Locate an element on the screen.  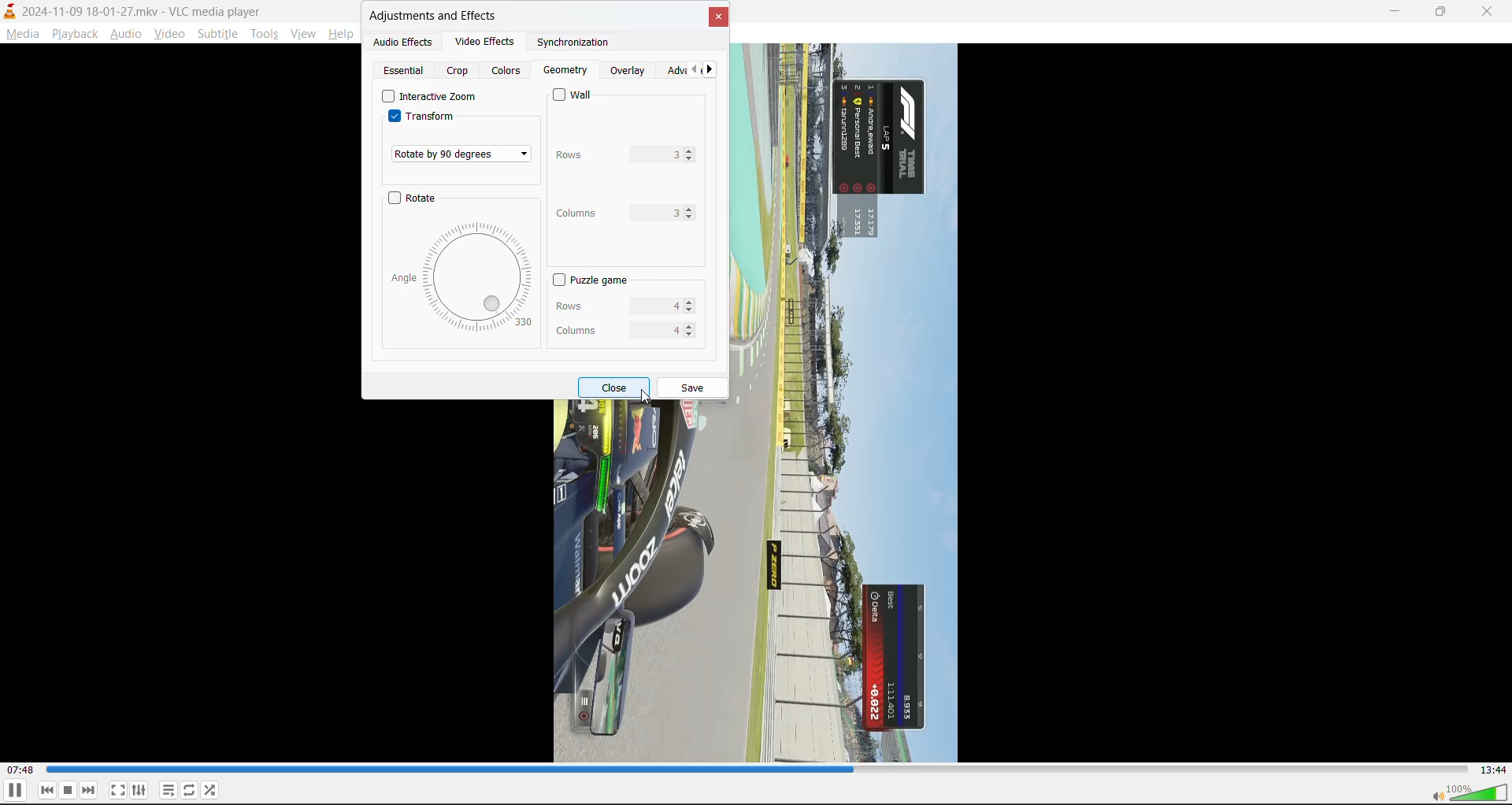
pause is located at coordinates (14, 791).